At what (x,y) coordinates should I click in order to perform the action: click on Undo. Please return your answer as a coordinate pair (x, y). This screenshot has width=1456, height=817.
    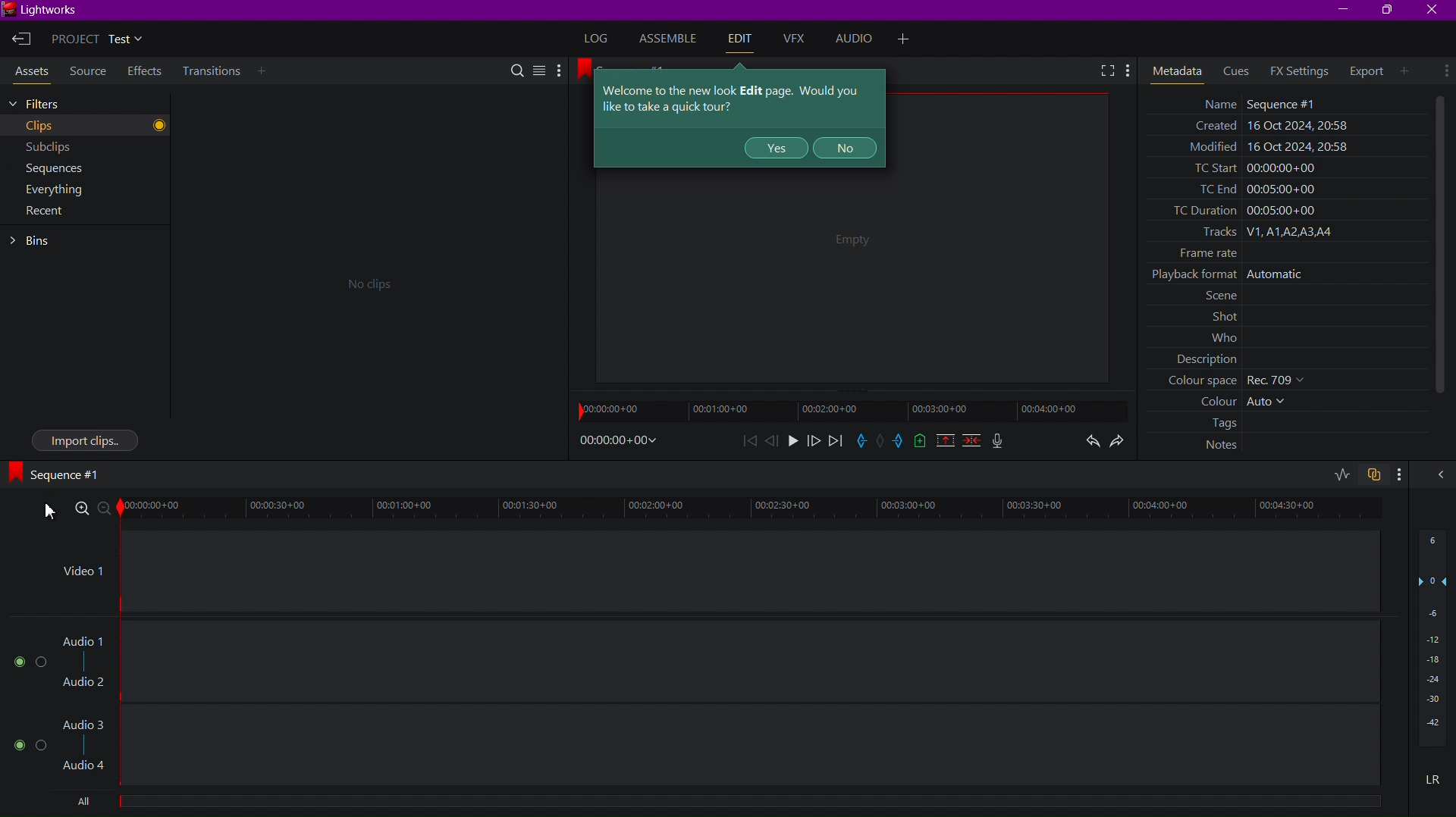
    Looking at the image, I should click on (1089, 443).